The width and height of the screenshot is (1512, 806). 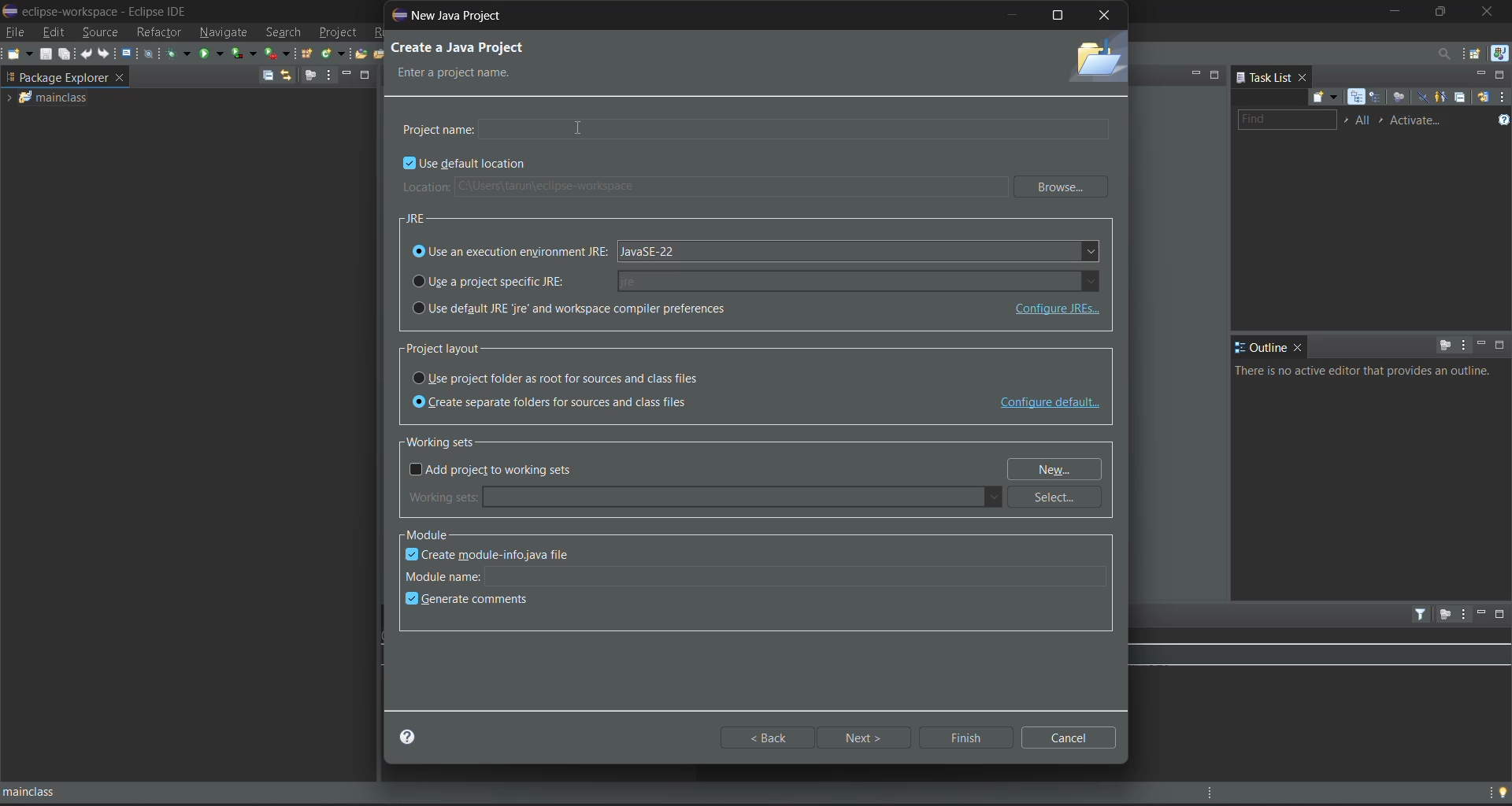 What do you see at coordinates (1503, 76) in the screenshot?
I see `maximize` at bounding box center [1503, 76].